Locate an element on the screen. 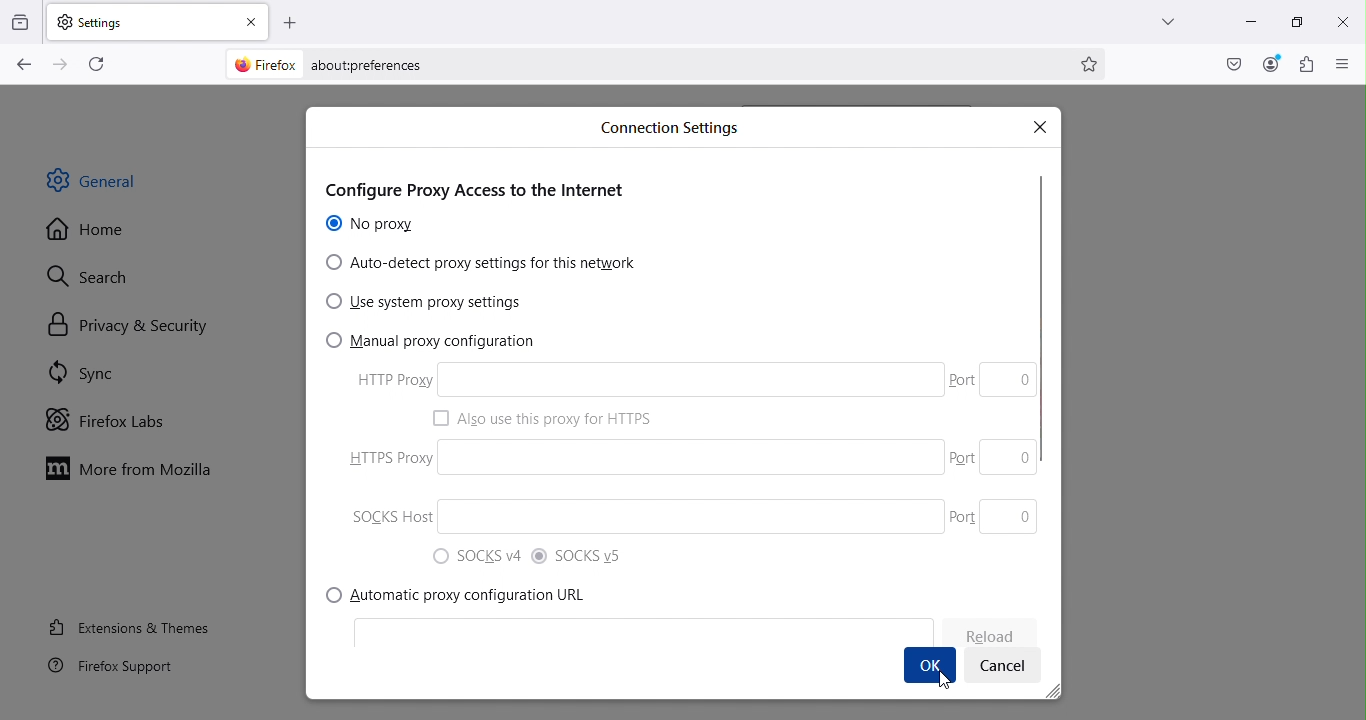 The width and height of the screenshot is (1366, 720). Go back one page is located at coordinates (24, 65).